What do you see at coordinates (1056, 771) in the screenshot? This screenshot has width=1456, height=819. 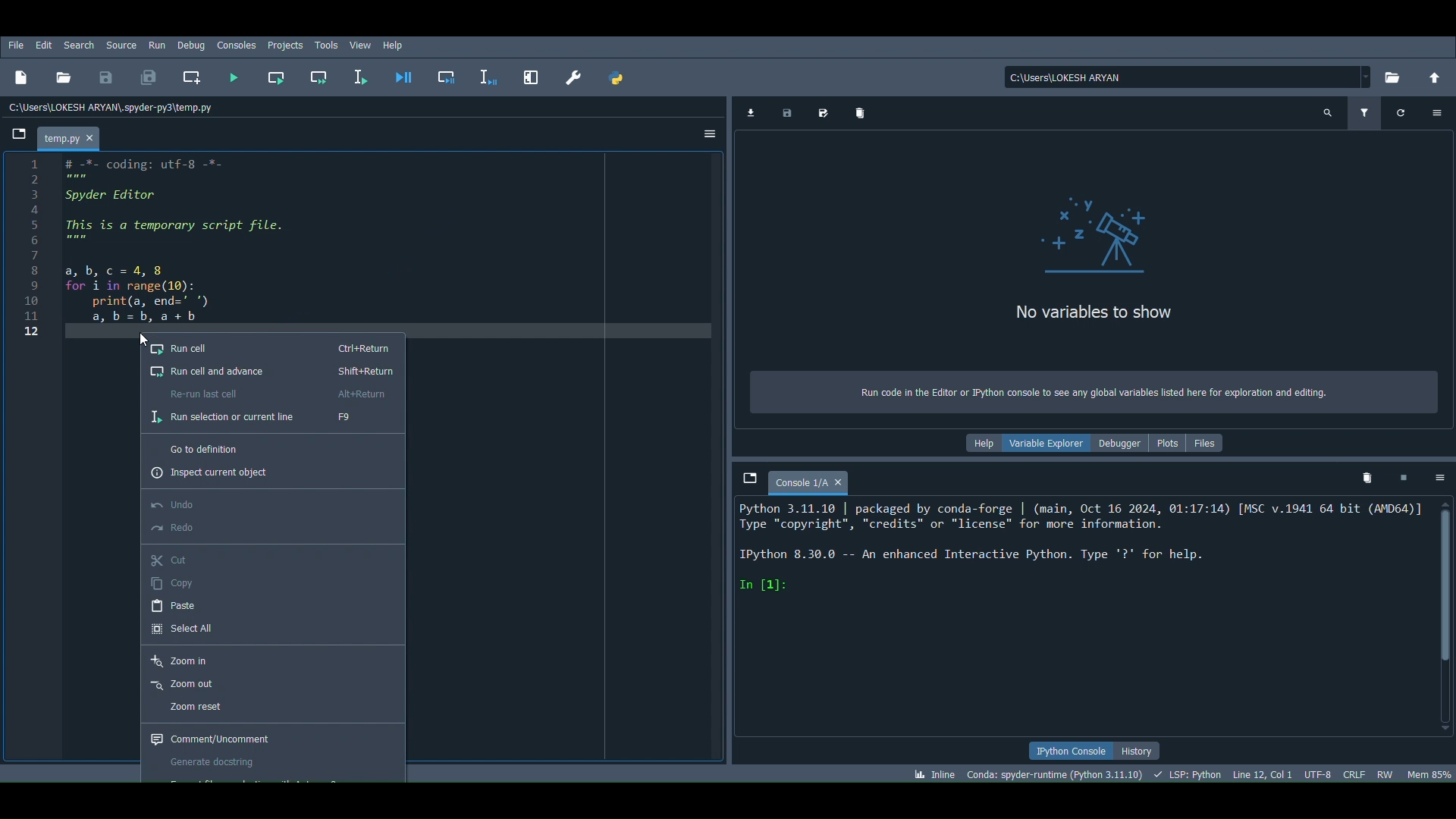 I see `Version` at bounding box center [1056, 771].